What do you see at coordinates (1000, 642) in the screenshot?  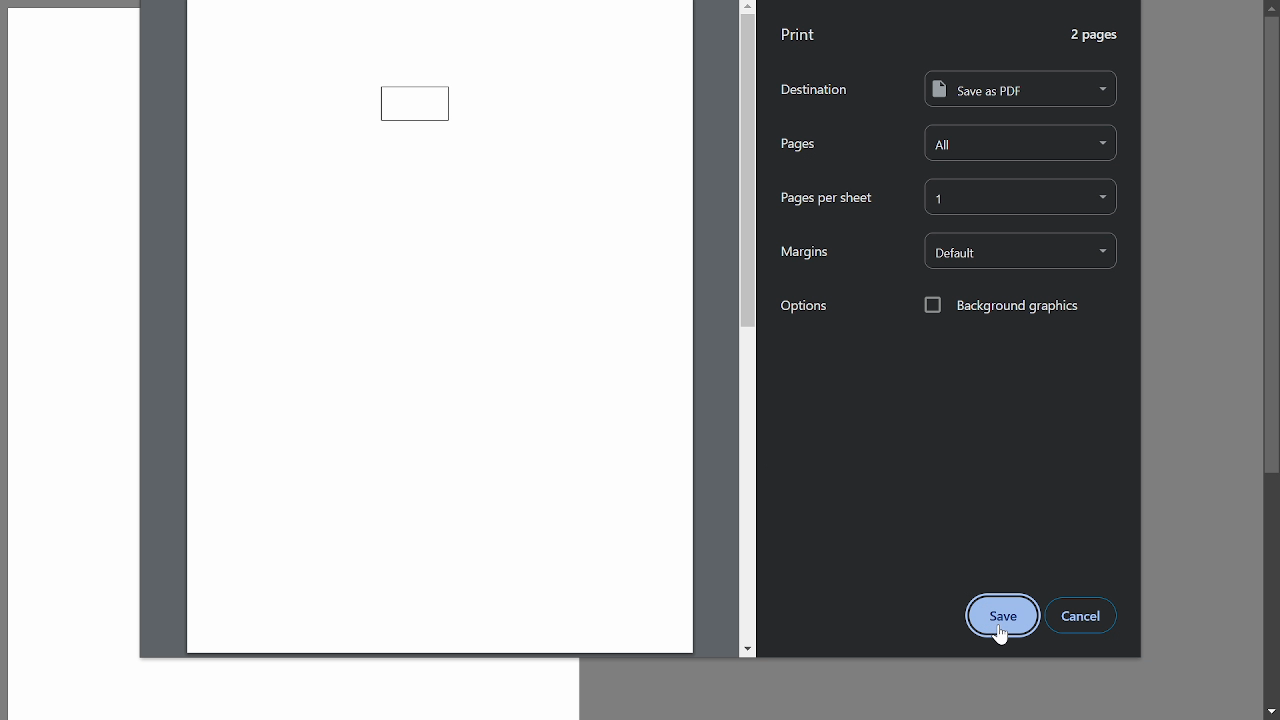 I see `cursor` at bounding box center [1000, 642].